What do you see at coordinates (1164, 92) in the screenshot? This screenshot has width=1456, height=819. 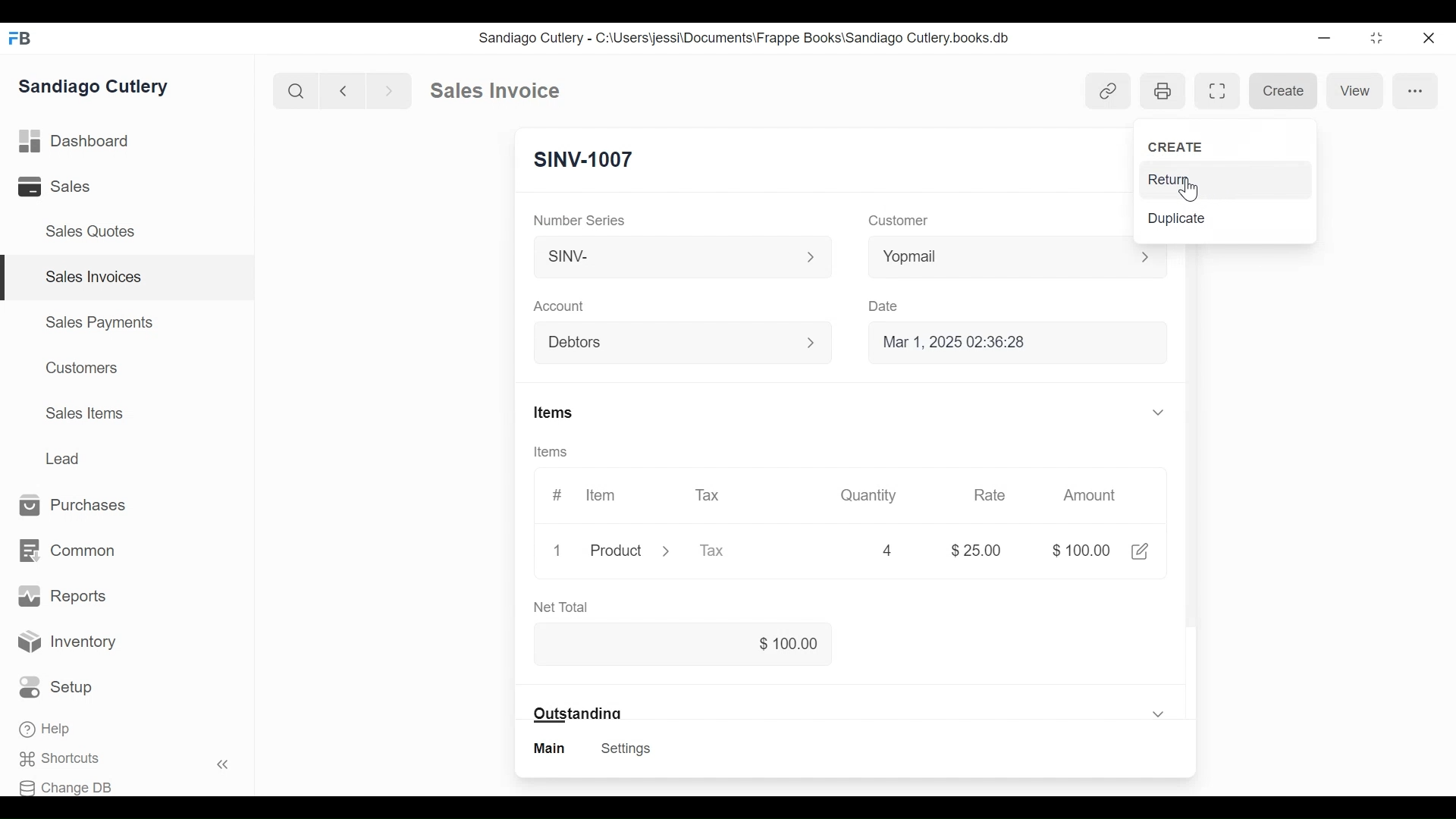 I see `Open print view` at bounding box center [1164, 92].